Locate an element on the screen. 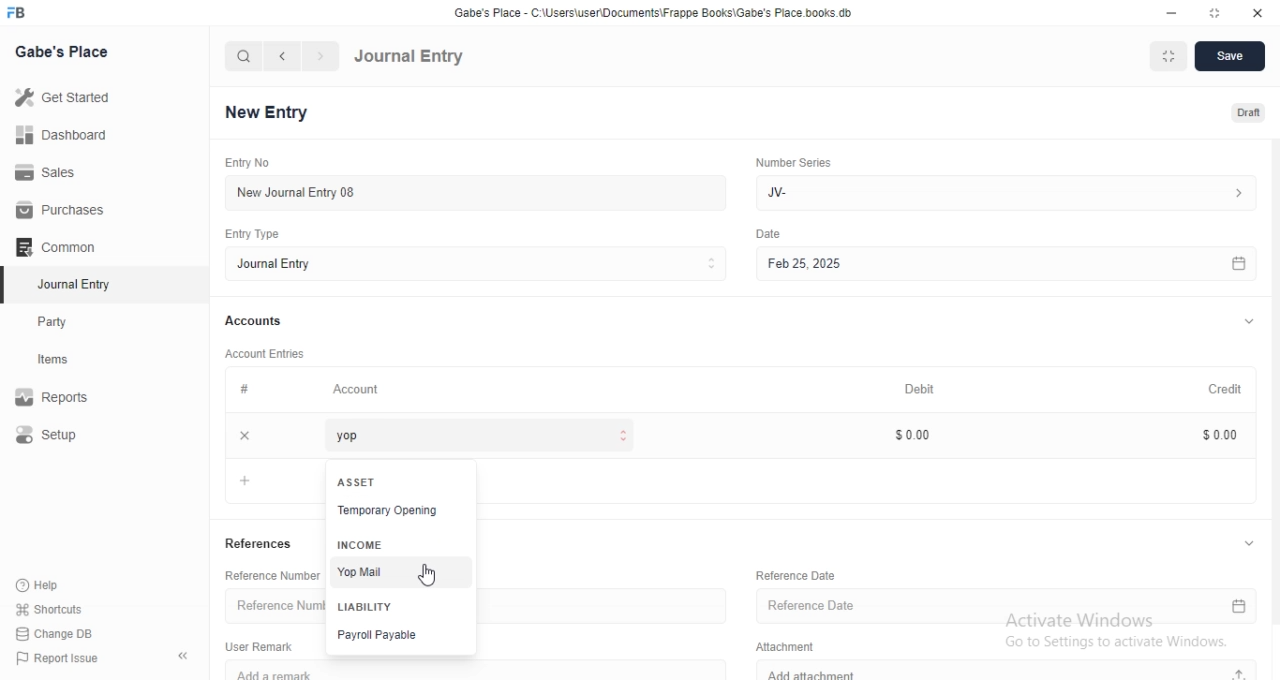 This screenshot has height=680, width=1280. Jv- is located at coordinates (1010, 191).